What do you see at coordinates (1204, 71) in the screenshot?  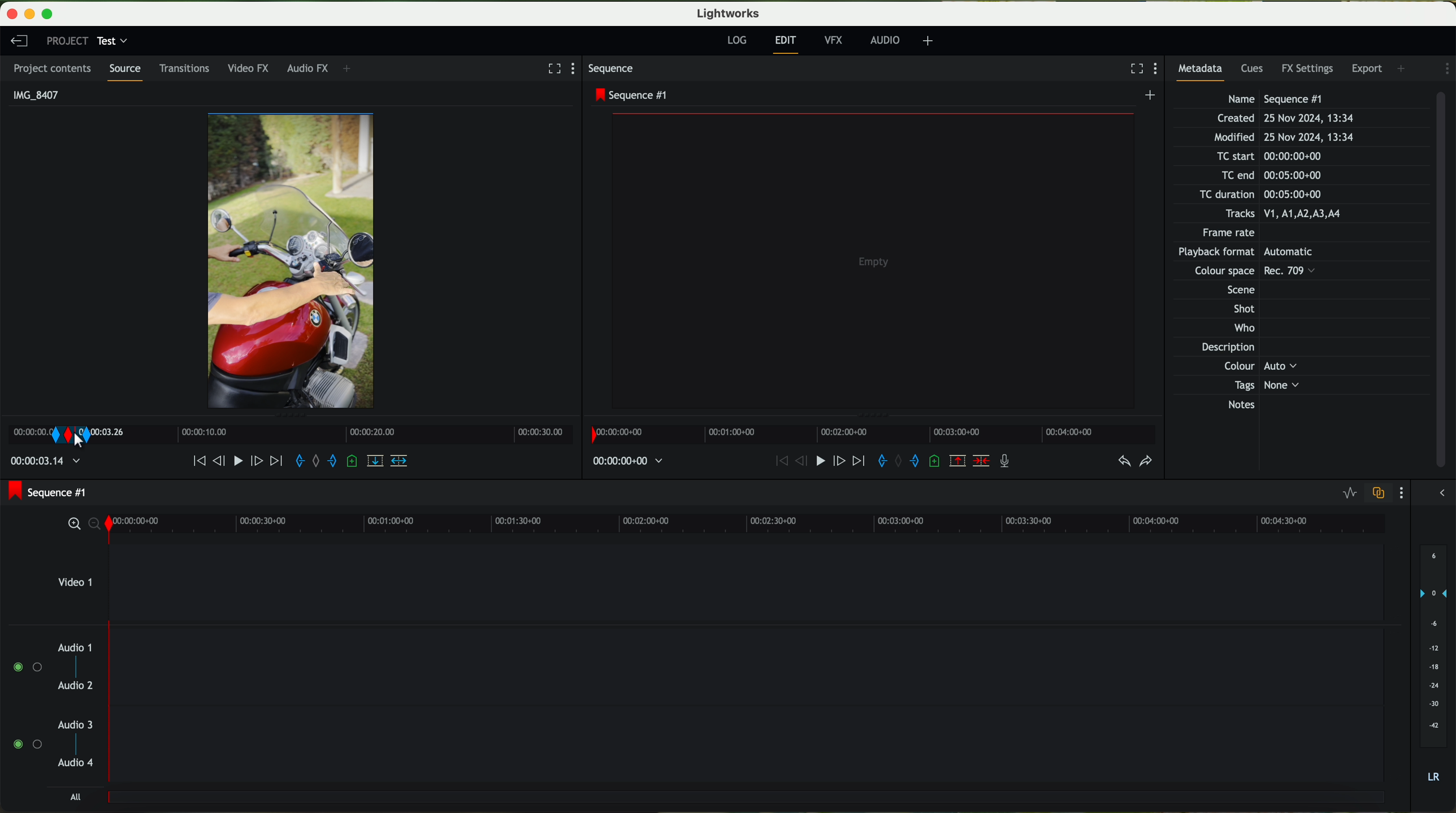 I see `metadata` at bounding box center [1204, 71].